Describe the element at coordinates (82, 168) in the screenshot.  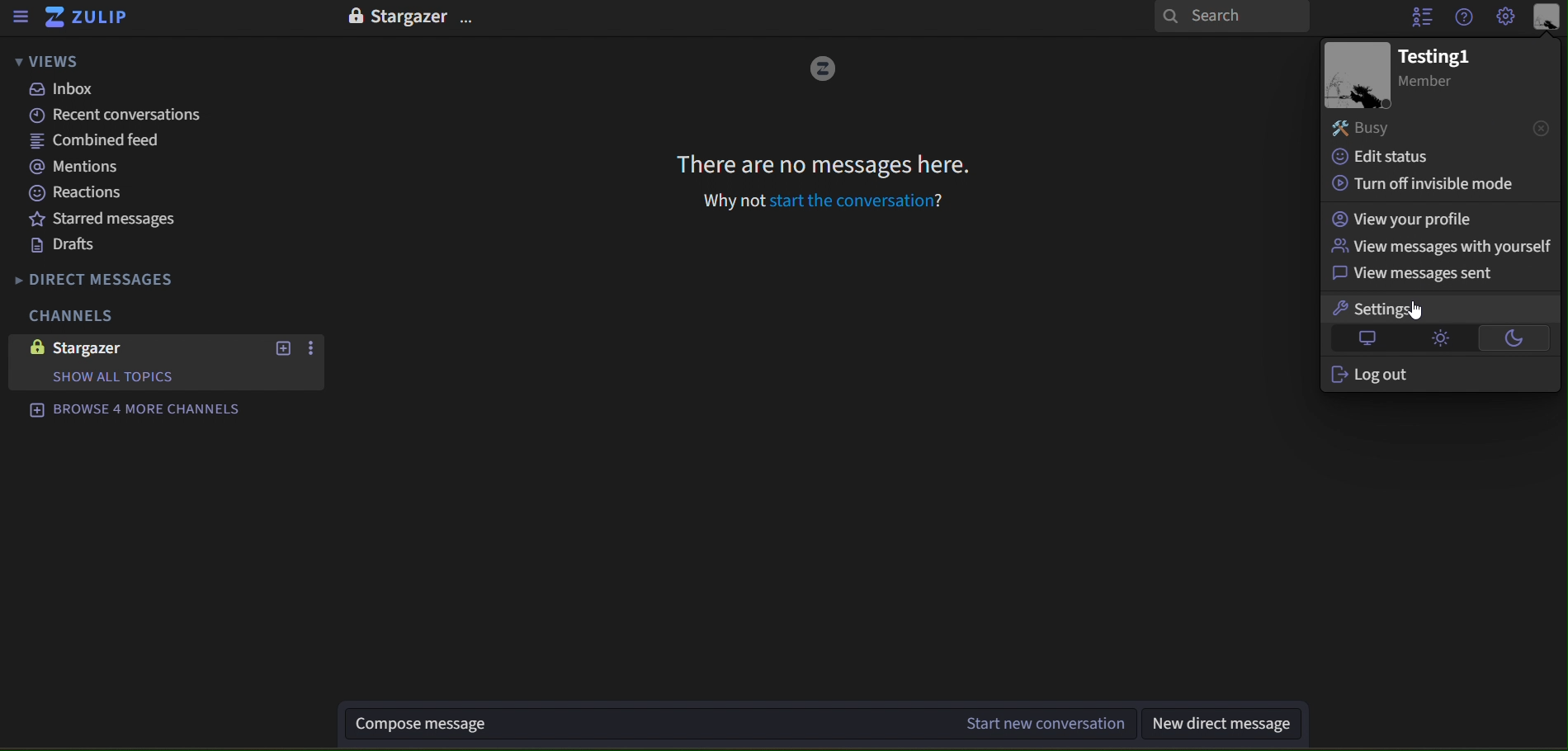
I see `mentions` at that location.